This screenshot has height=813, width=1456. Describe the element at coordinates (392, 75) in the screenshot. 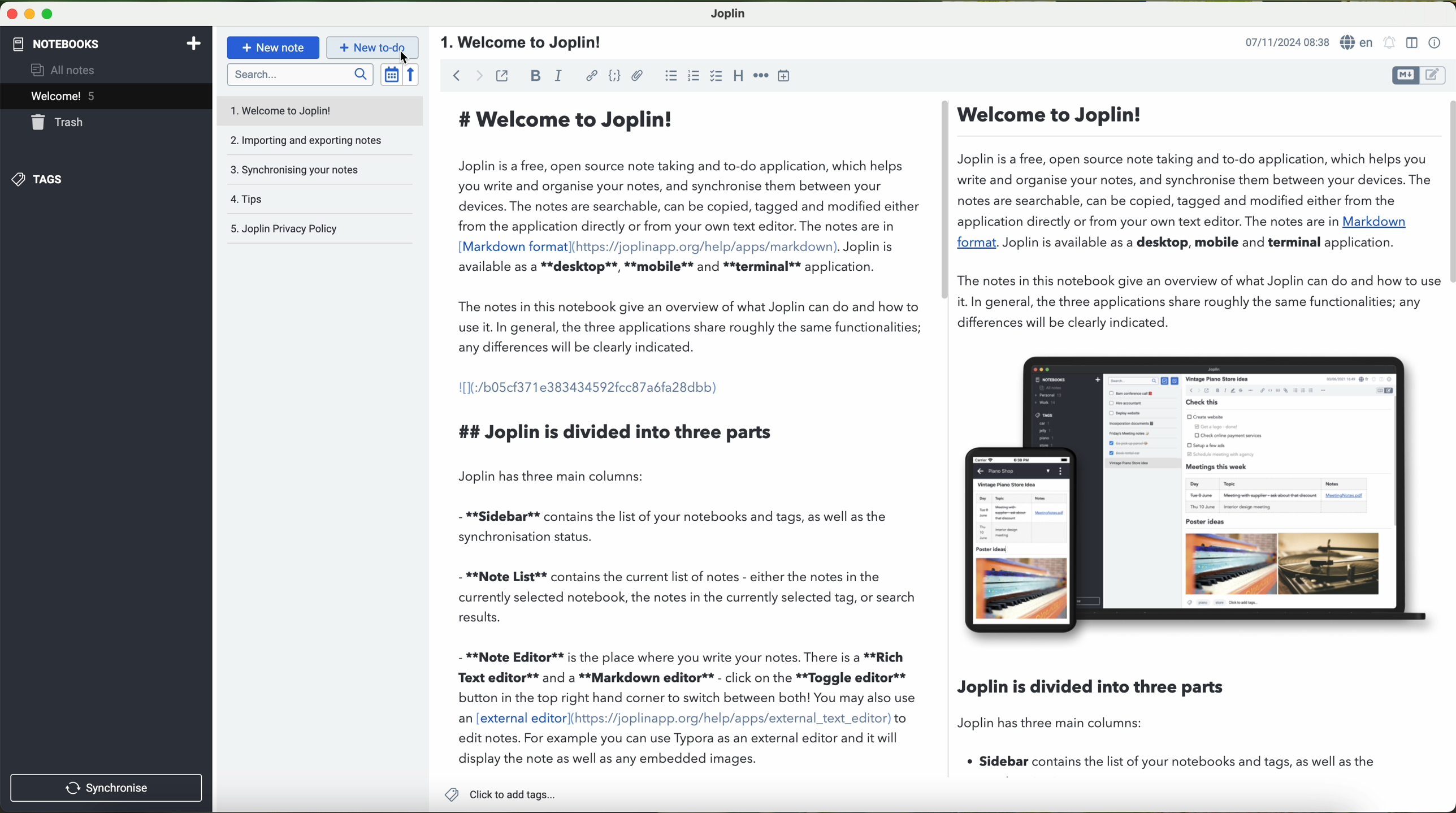

I see `toggle sort order field` at that location.